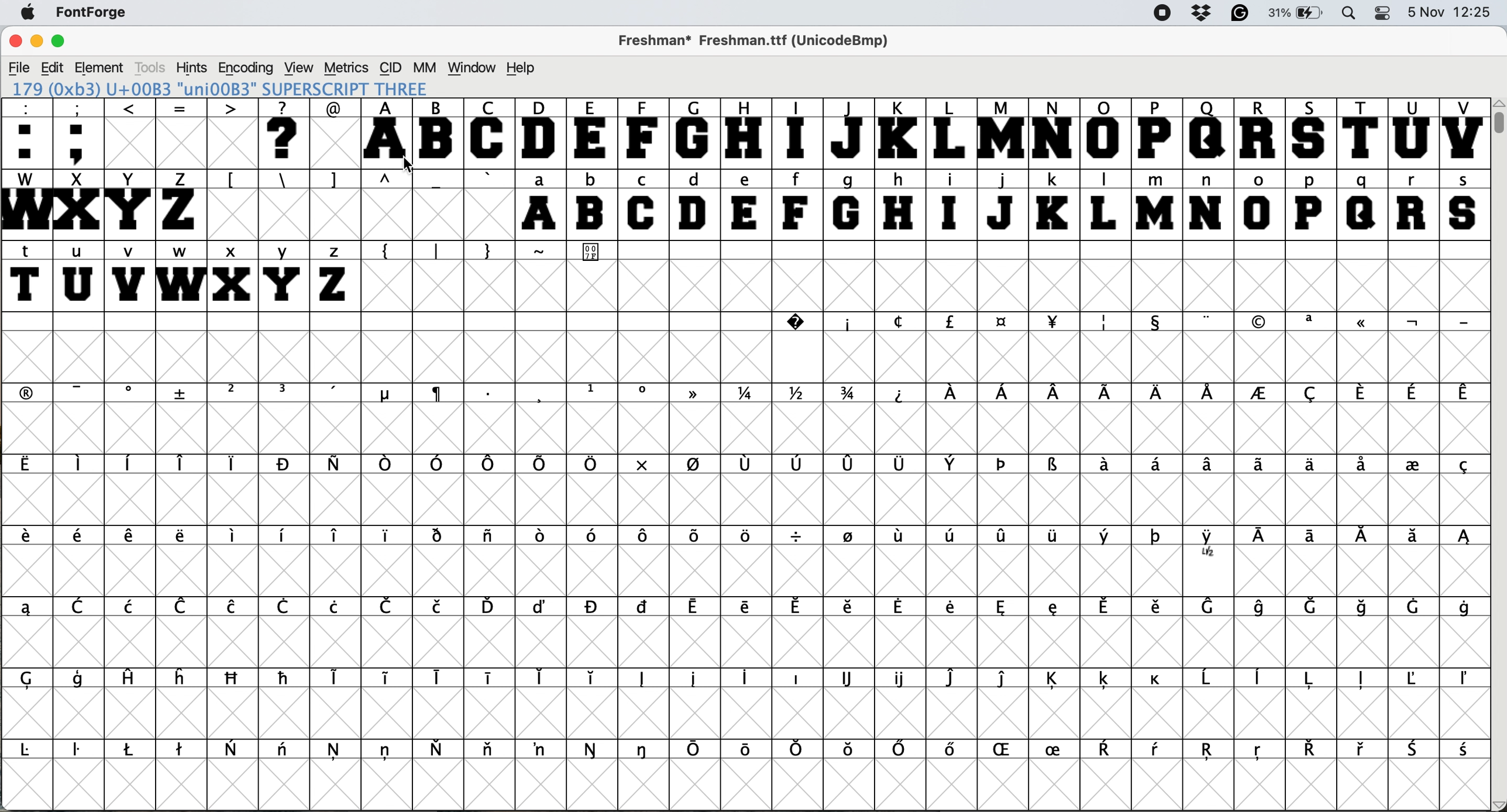 This screenshot has height=812, width=1507. Describe the element at coordinates (284, 464) in the screenshot. I see `symbol` at that location.